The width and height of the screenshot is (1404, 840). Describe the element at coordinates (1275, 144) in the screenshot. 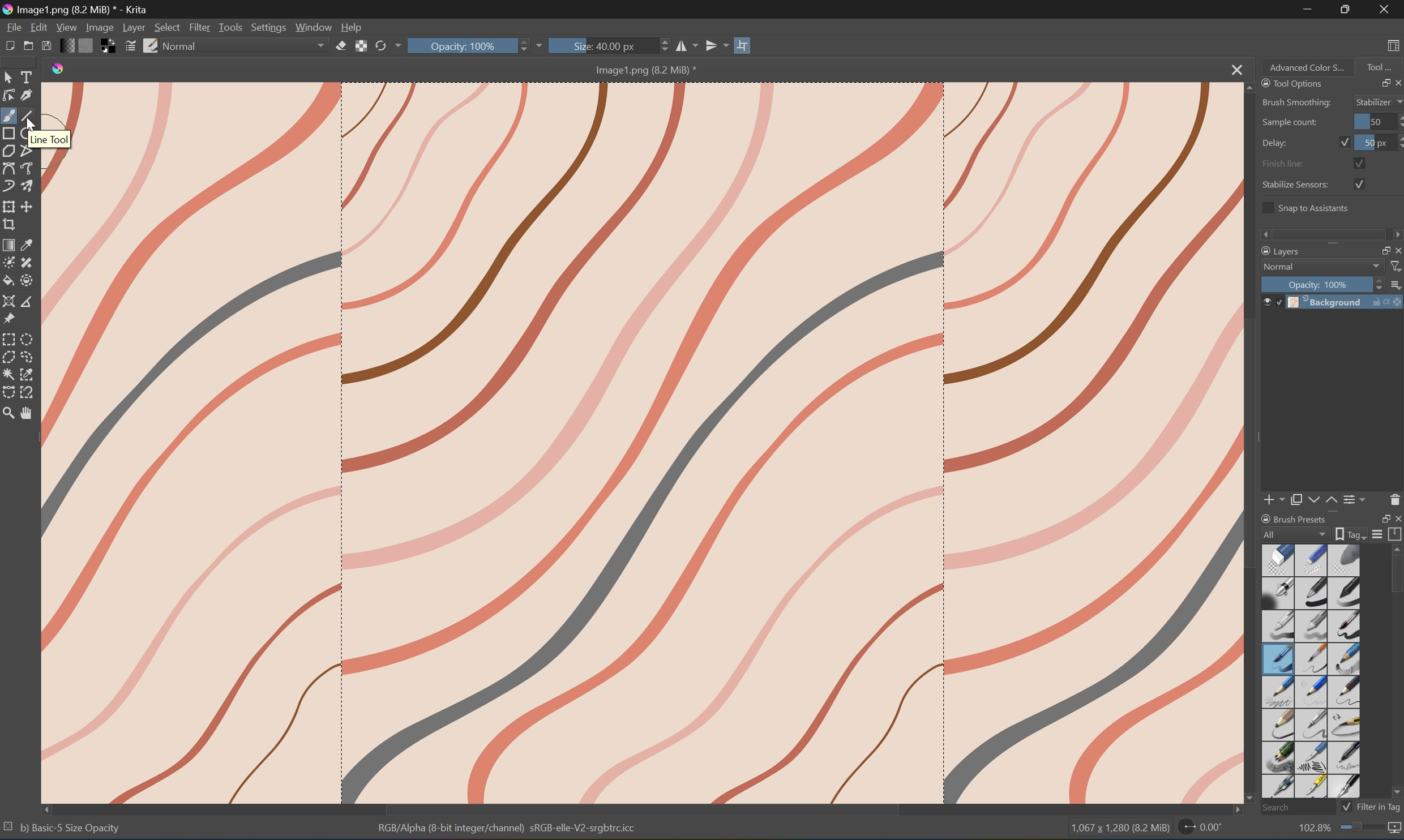

I see `Delay:` at that location.